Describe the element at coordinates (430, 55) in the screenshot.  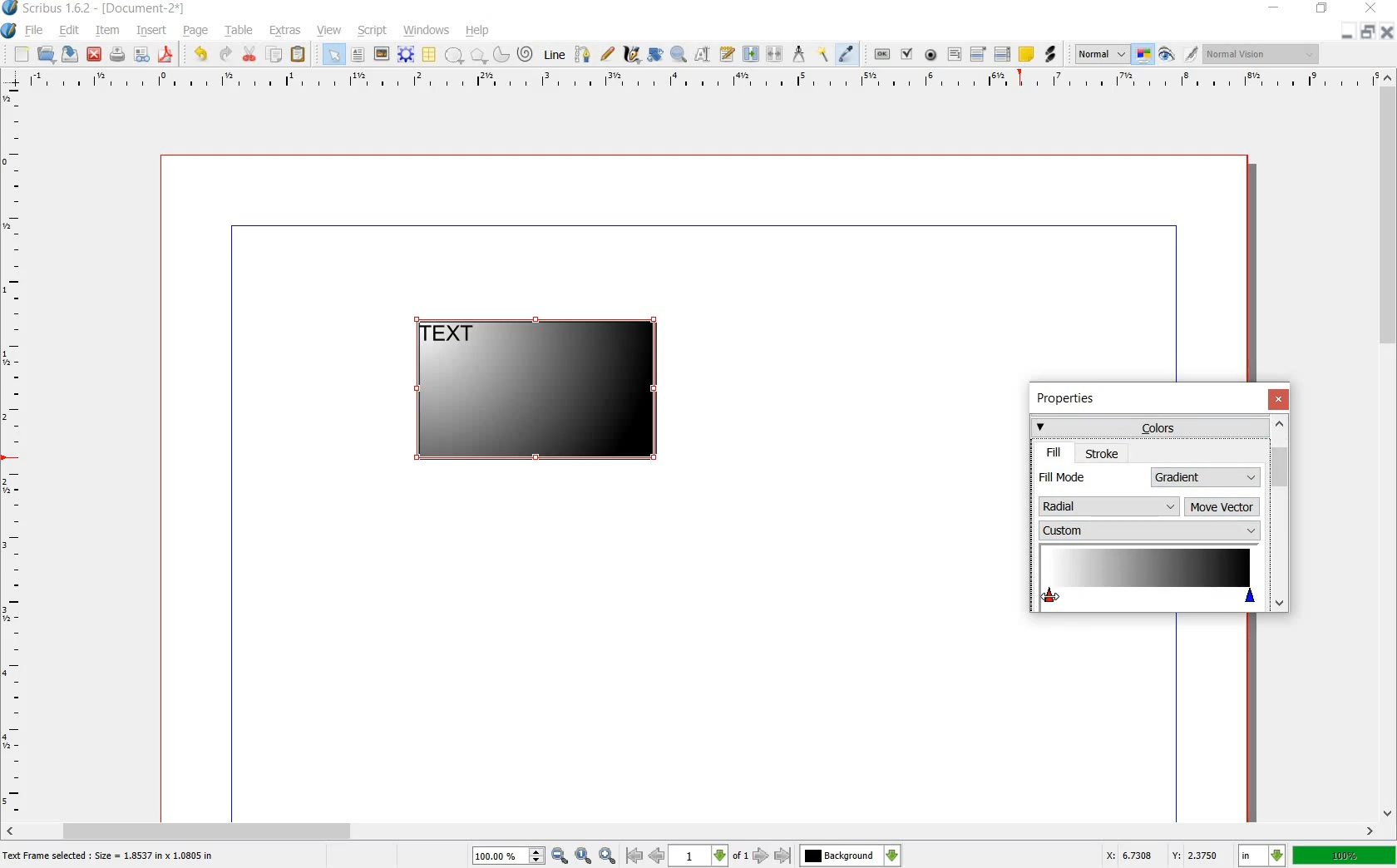
I see `table` at that location.